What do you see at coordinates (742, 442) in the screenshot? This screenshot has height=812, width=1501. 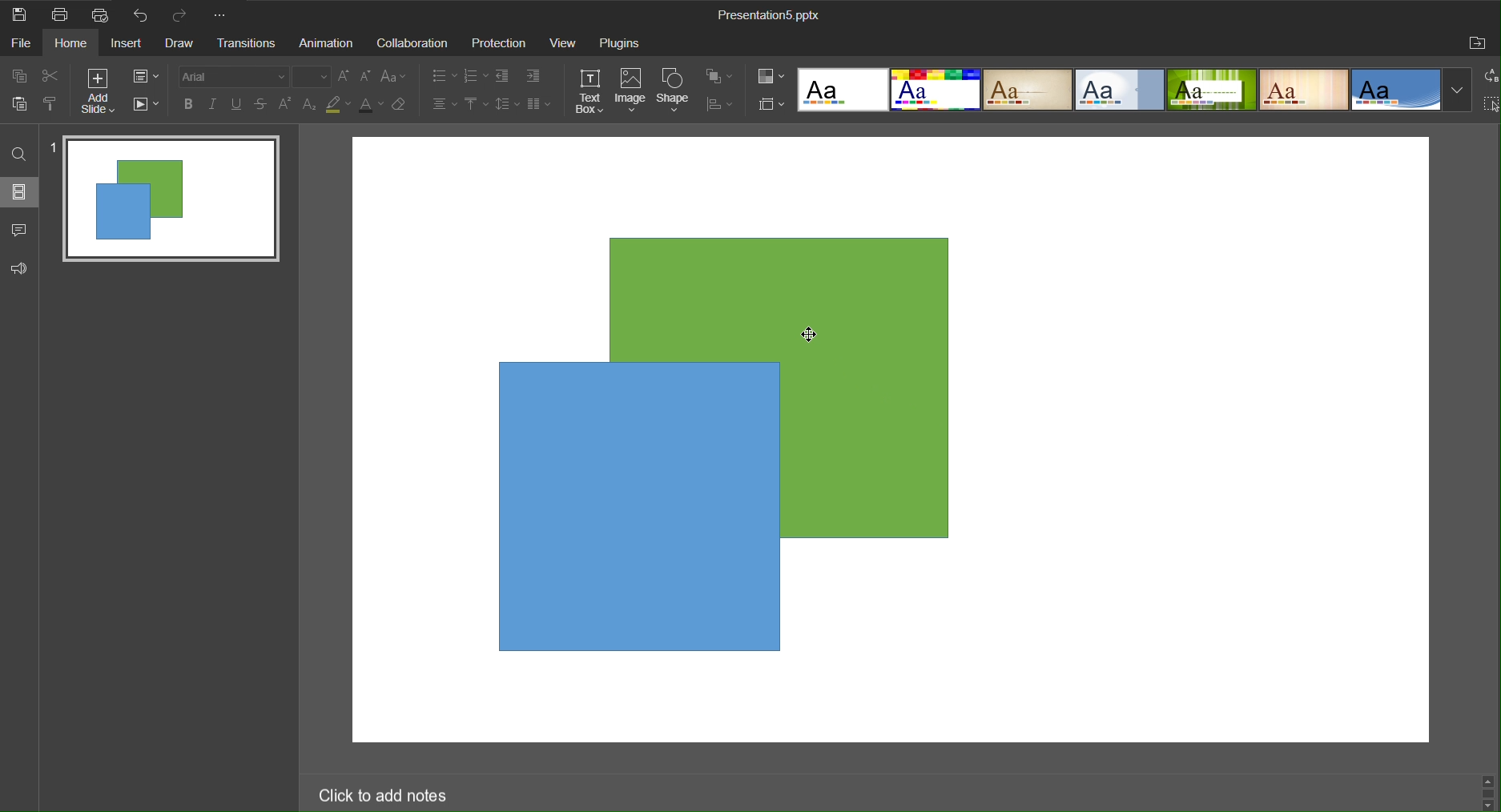 I see `Shapes` at bounding box center [742, 442].